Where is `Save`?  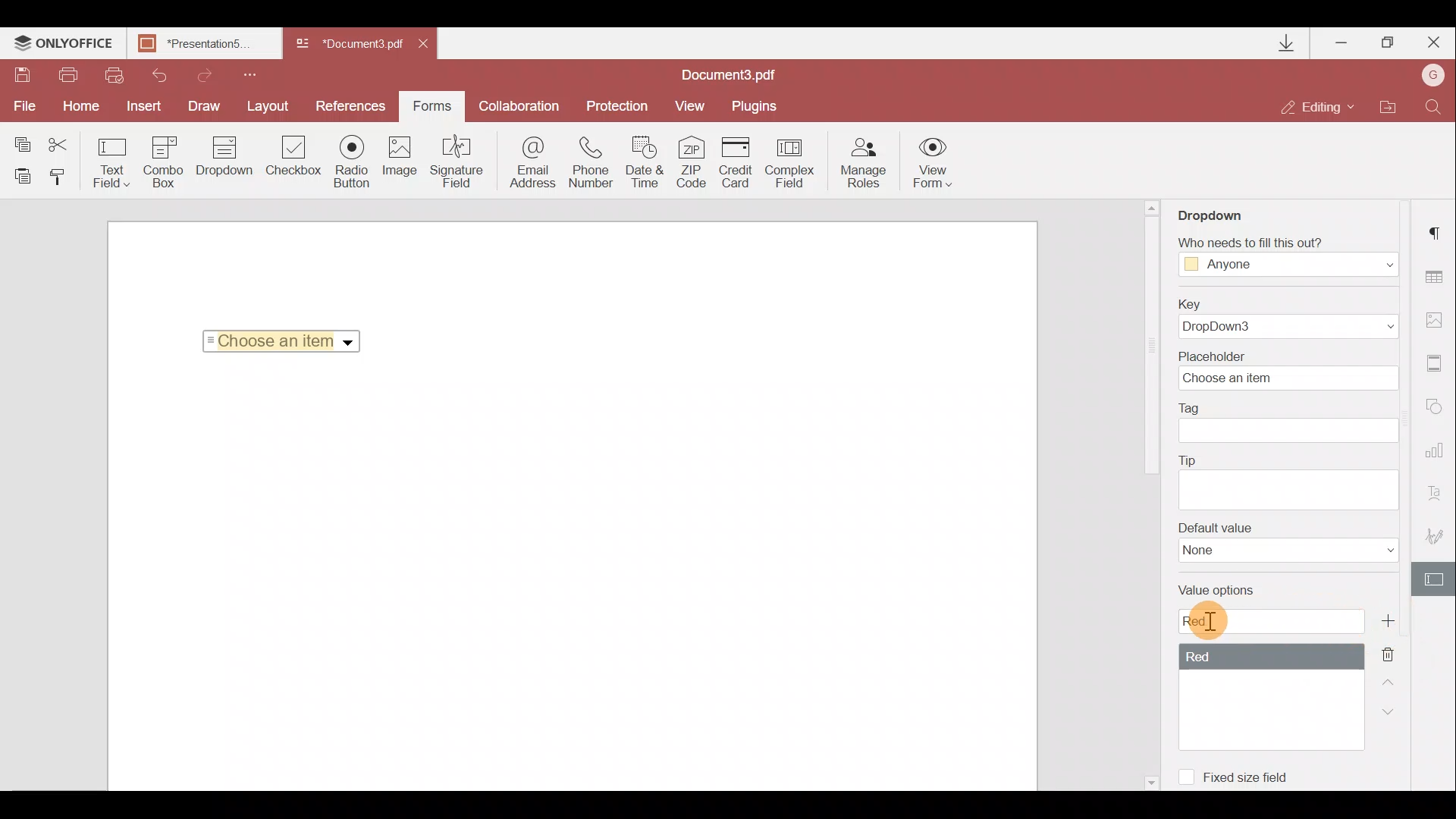
Save is located at coordinates (22, 75).